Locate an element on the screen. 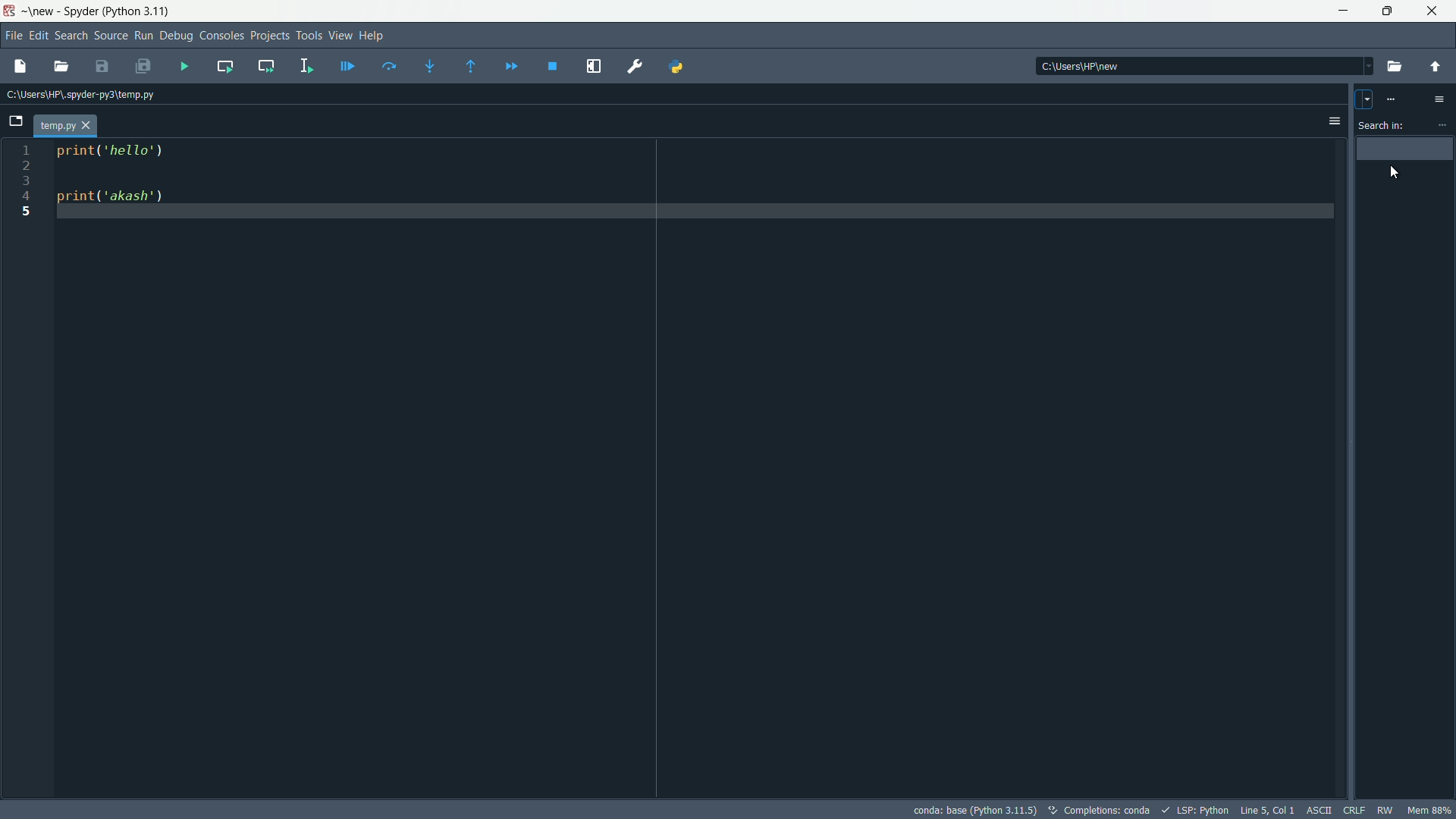 Image resolution: width=1456 pixels, height=819 pixels. save all files is located at coordinates (146, 65).